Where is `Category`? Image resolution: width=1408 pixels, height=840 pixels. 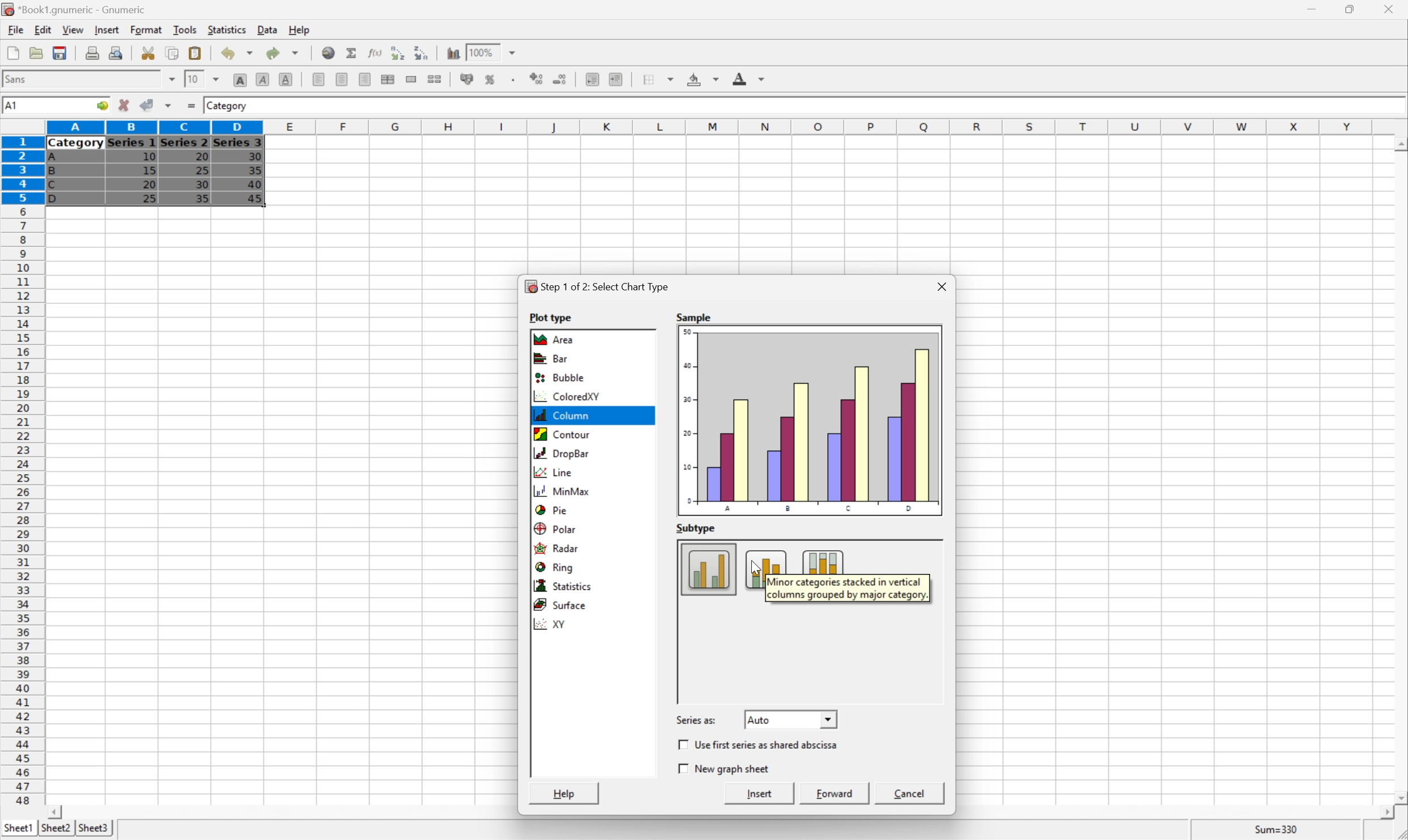
Category is located at coordinates (76, 144).